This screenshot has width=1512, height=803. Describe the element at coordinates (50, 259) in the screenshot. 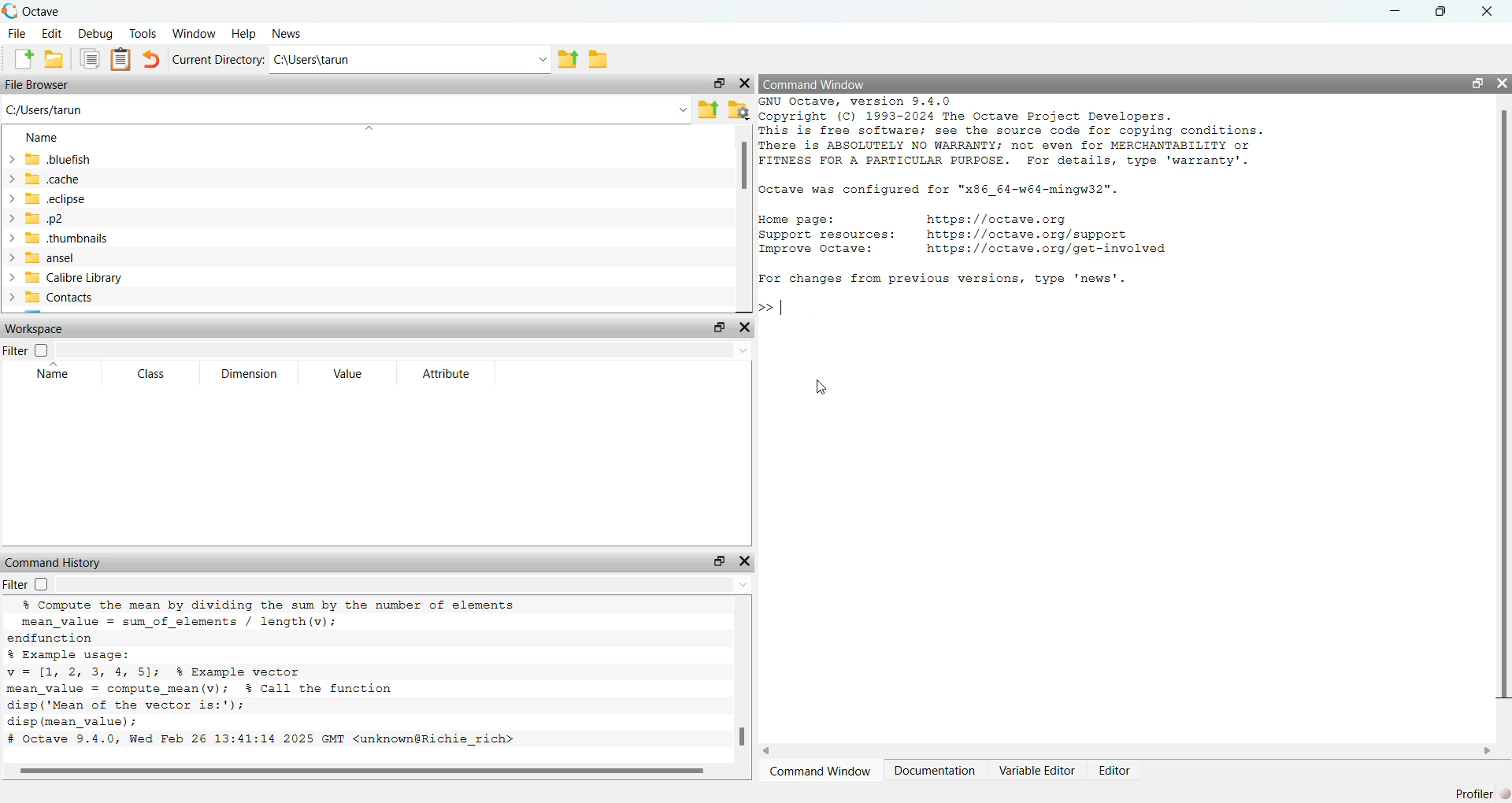

I see `ansel` at that location.